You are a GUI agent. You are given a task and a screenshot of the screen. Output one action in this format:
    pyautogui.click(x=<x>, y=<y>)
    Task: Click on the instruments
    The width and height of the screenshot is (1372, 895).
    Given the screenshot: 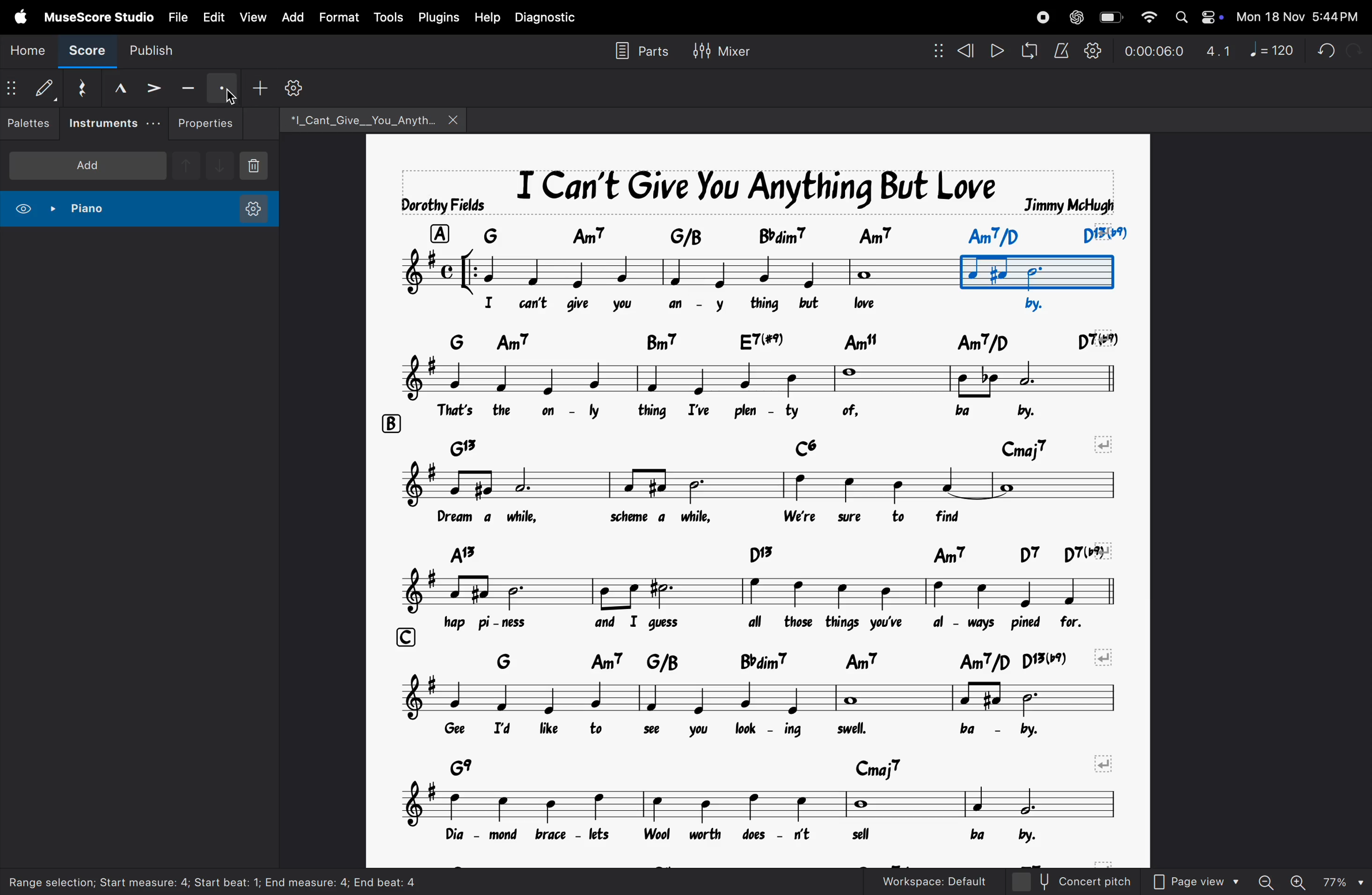 What is the action you would take?
    pyautogui.click(x=116, y=124)
    